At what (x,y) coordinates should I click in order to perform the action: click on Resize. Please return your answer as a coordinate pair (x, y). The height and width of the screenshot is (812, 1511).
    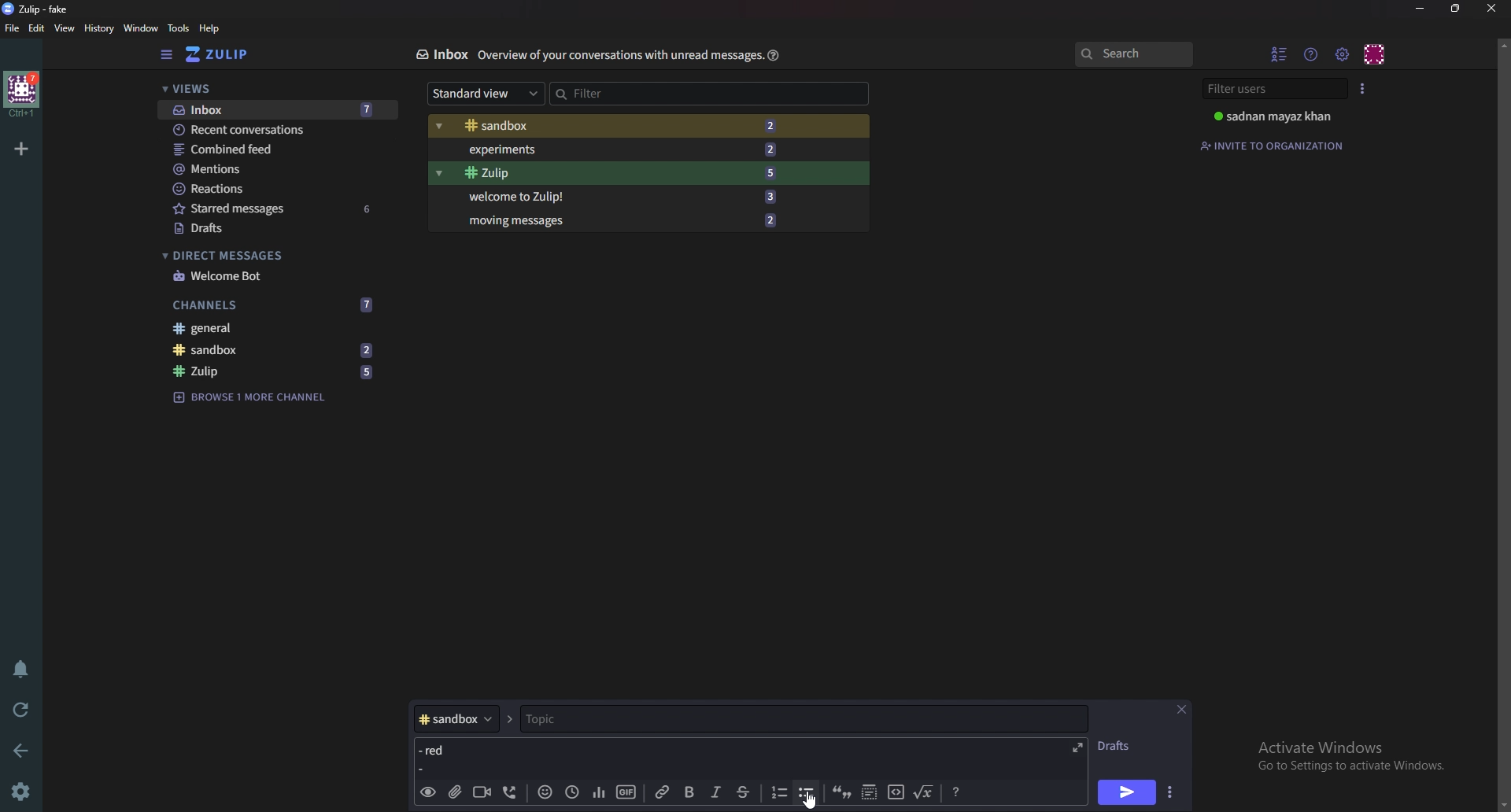
    Looking at the image, I should click on (1458, 8).